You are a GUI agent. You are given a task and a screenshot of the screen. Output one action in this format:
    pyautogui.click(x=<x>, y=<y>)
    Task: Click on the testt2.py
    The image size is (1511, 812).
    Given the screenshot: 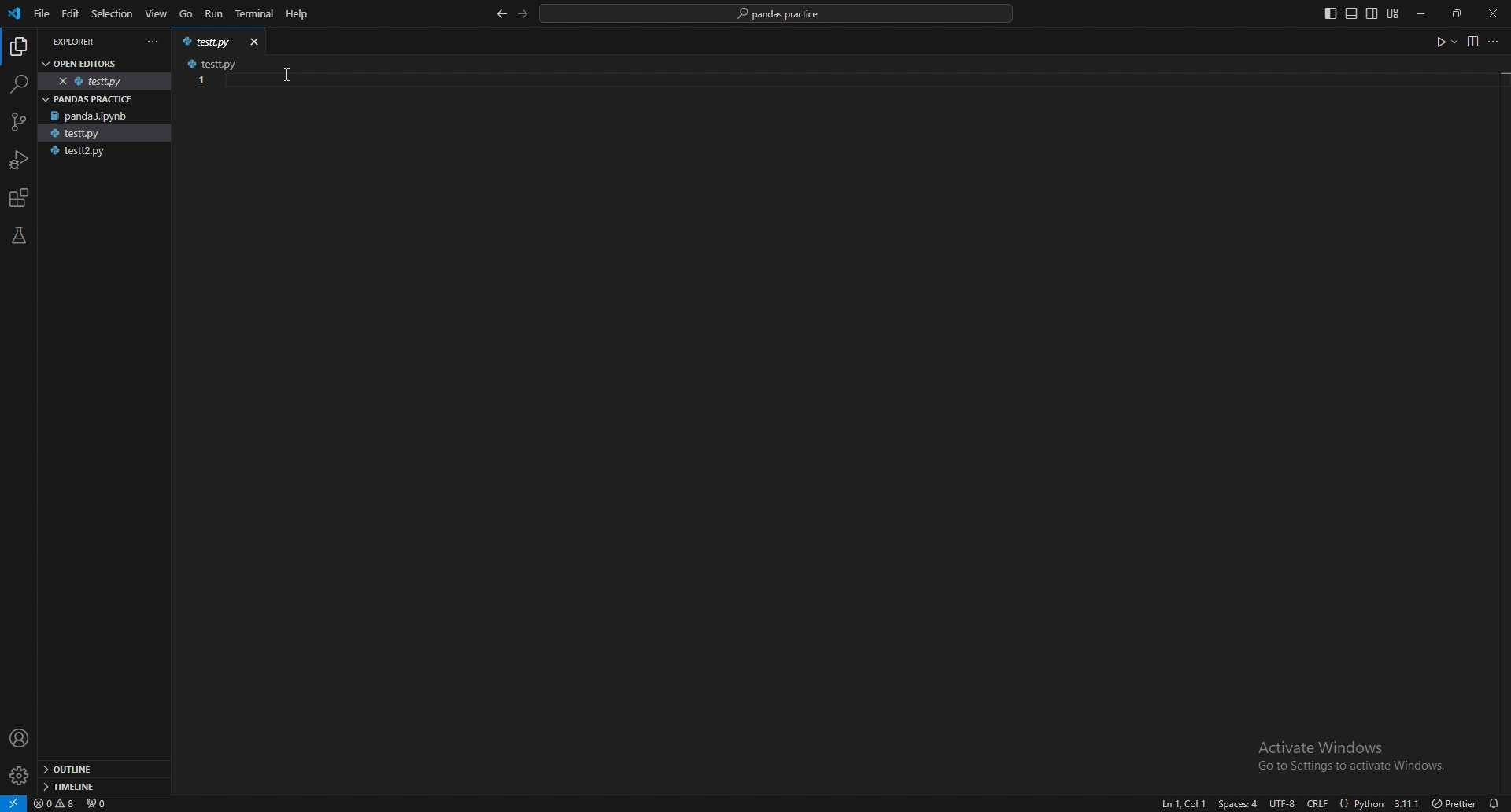 What is the action you would take?
    pyautogui.click(x=79, y=153)
    